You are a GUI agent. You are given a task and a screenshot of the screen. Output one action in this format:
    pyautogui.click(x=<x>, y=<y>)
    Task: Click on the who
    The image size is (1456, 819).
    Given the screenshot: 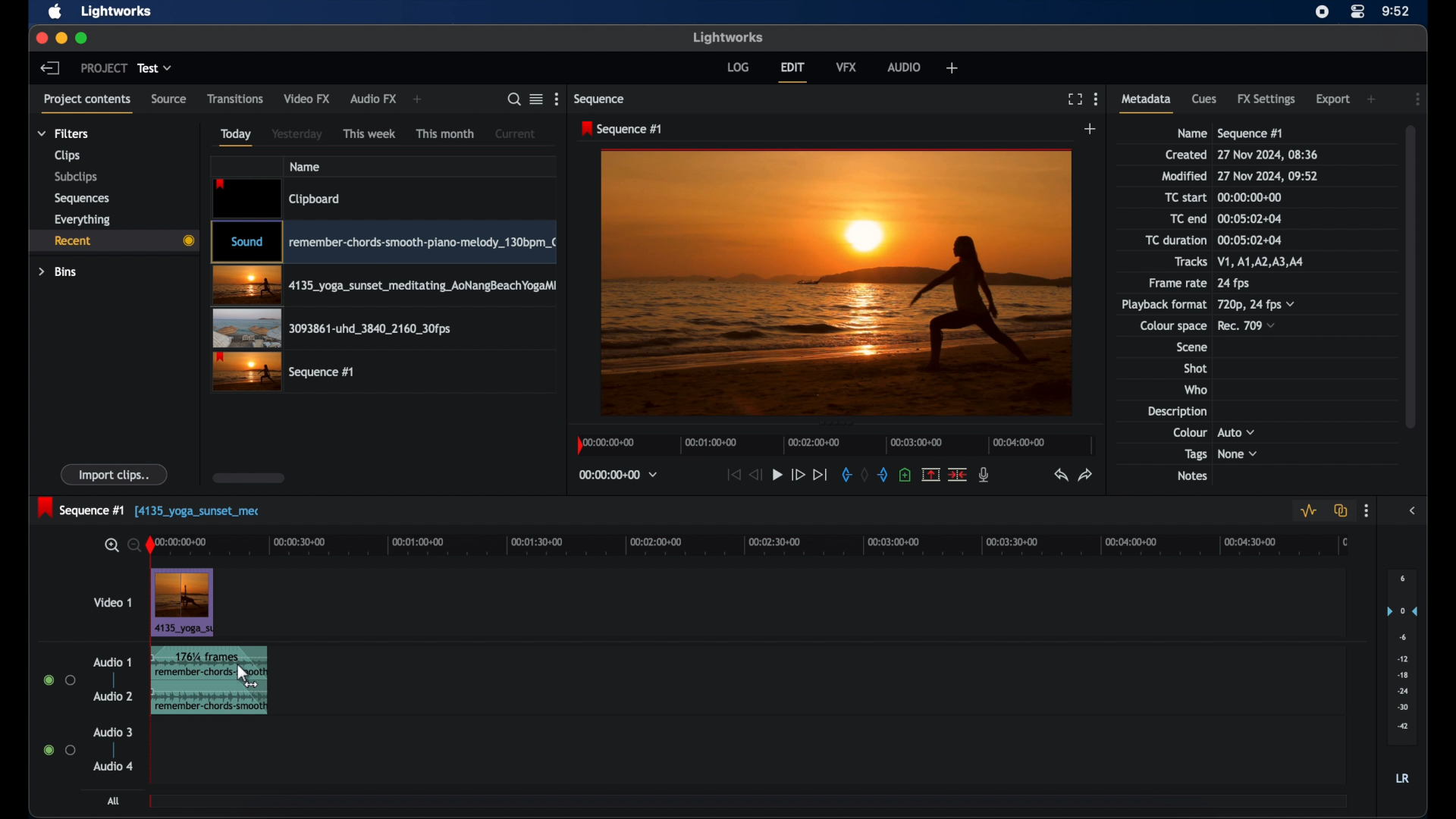 What is the action you would take?
    pyautogui.click(x=1196, y=389)
    